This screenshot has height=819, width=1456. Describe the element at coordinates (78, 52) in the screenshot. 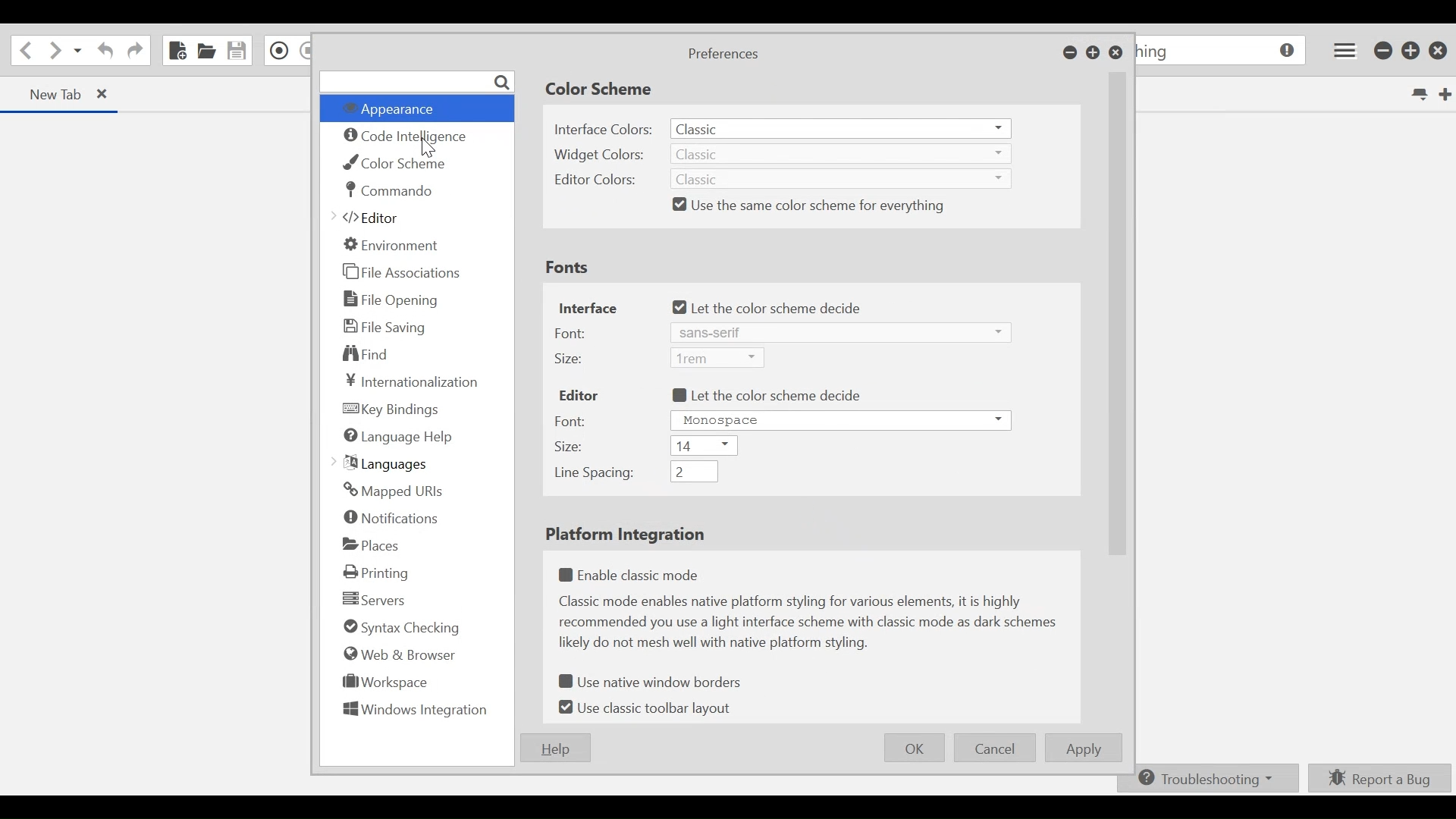

I see `Recent location` at that location.